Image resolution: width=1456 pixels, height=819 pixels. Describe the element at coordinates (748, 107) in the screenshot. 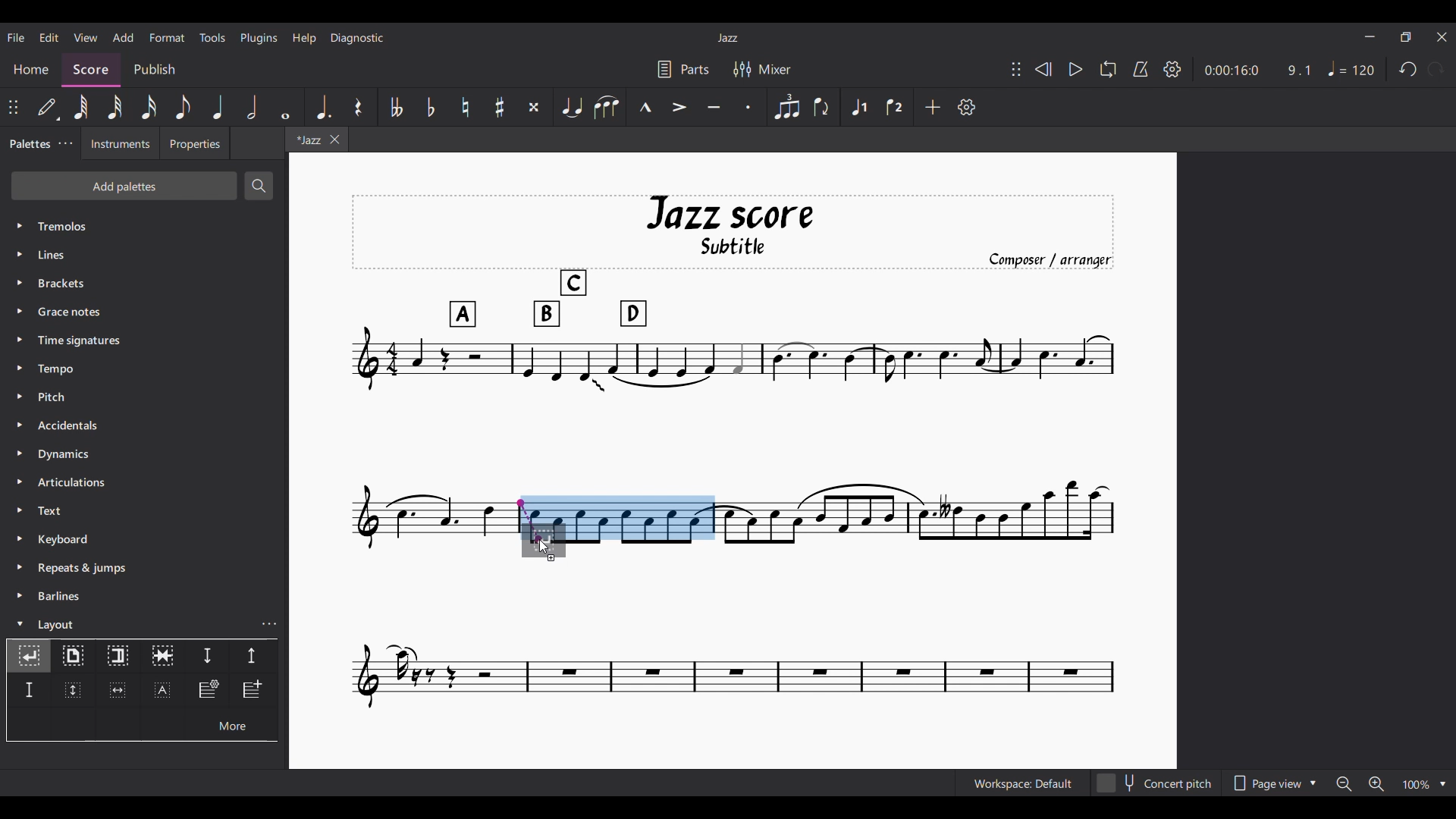

I see `Staccato` at that location.